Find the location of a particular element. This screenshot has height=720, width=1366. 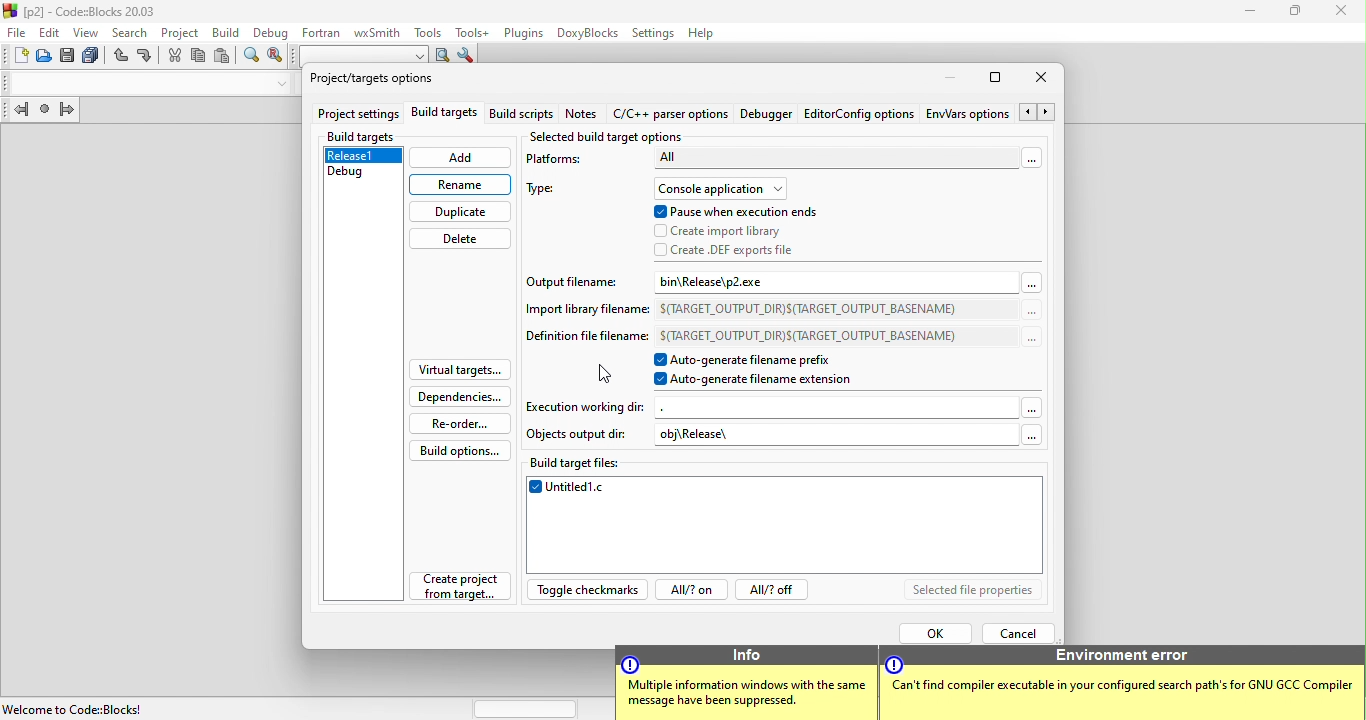

cancel is located at coordinates (1022, 631).